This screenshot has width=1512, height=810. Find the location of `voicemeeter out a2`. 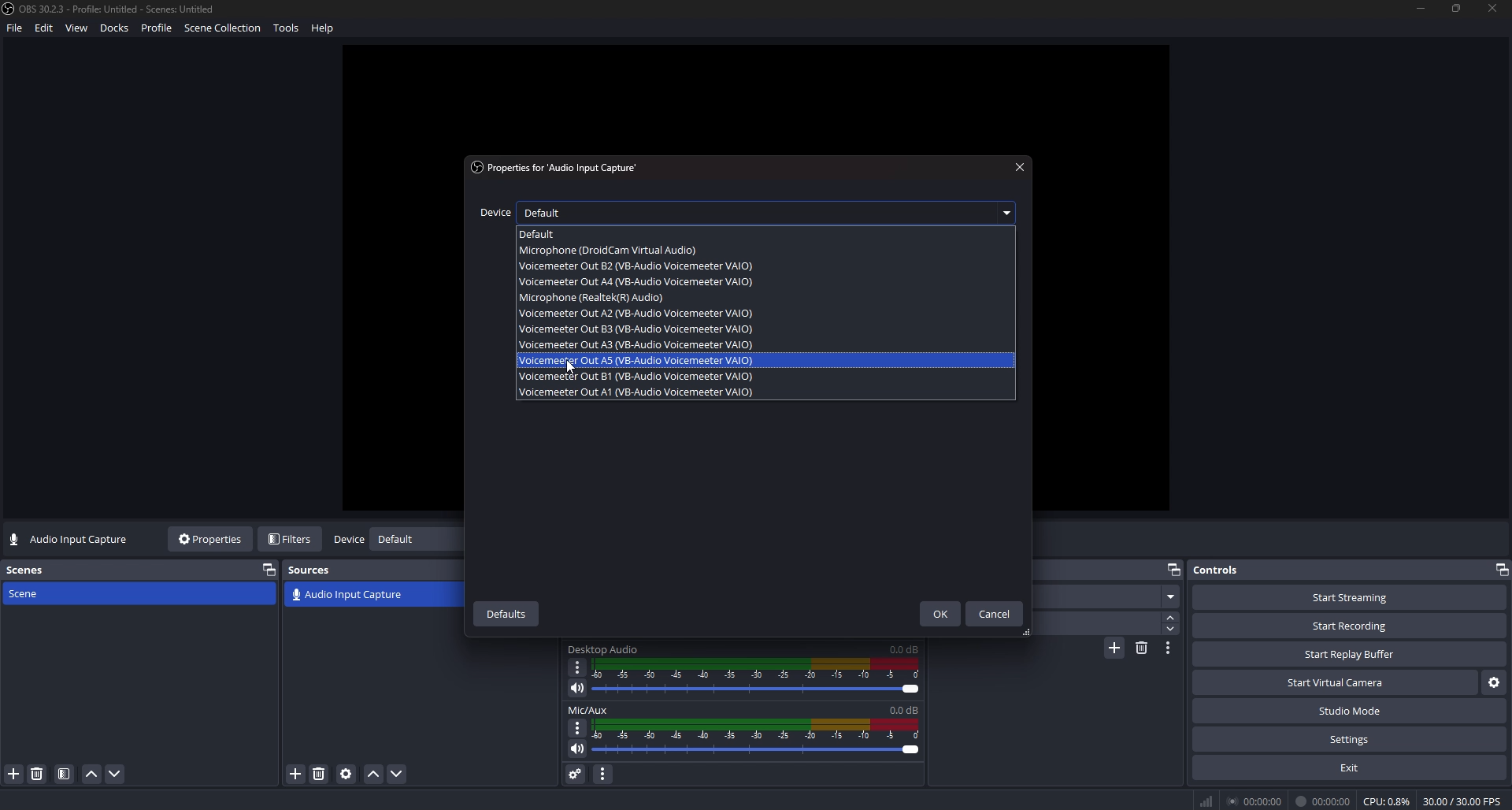

voicemeeter out a2 is located at coordinates (634, 313).